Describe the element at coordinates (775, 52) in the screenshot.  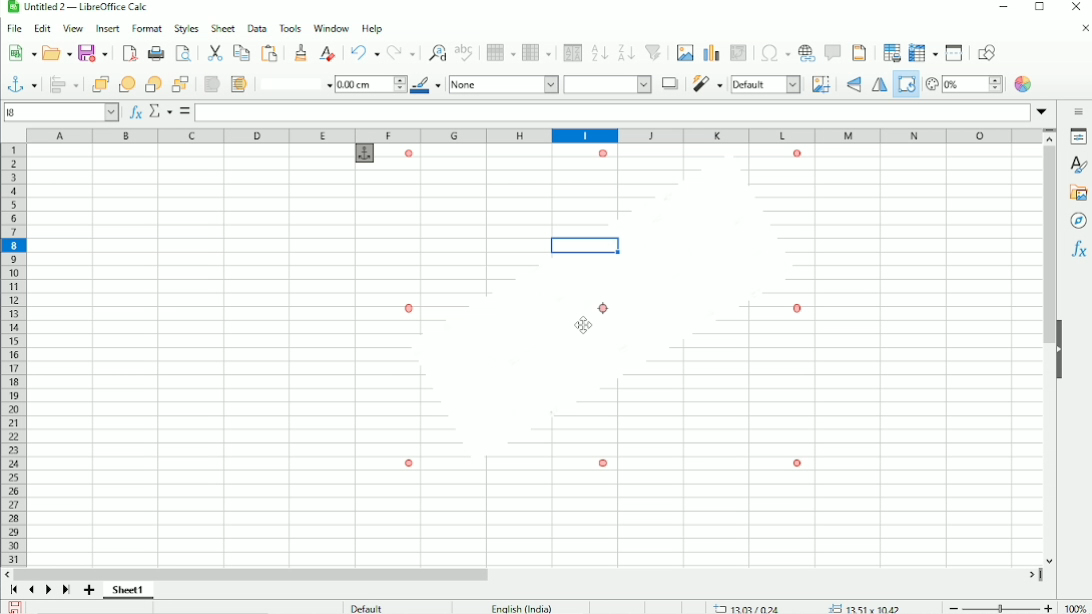
I see `Insert special characters` at that location.